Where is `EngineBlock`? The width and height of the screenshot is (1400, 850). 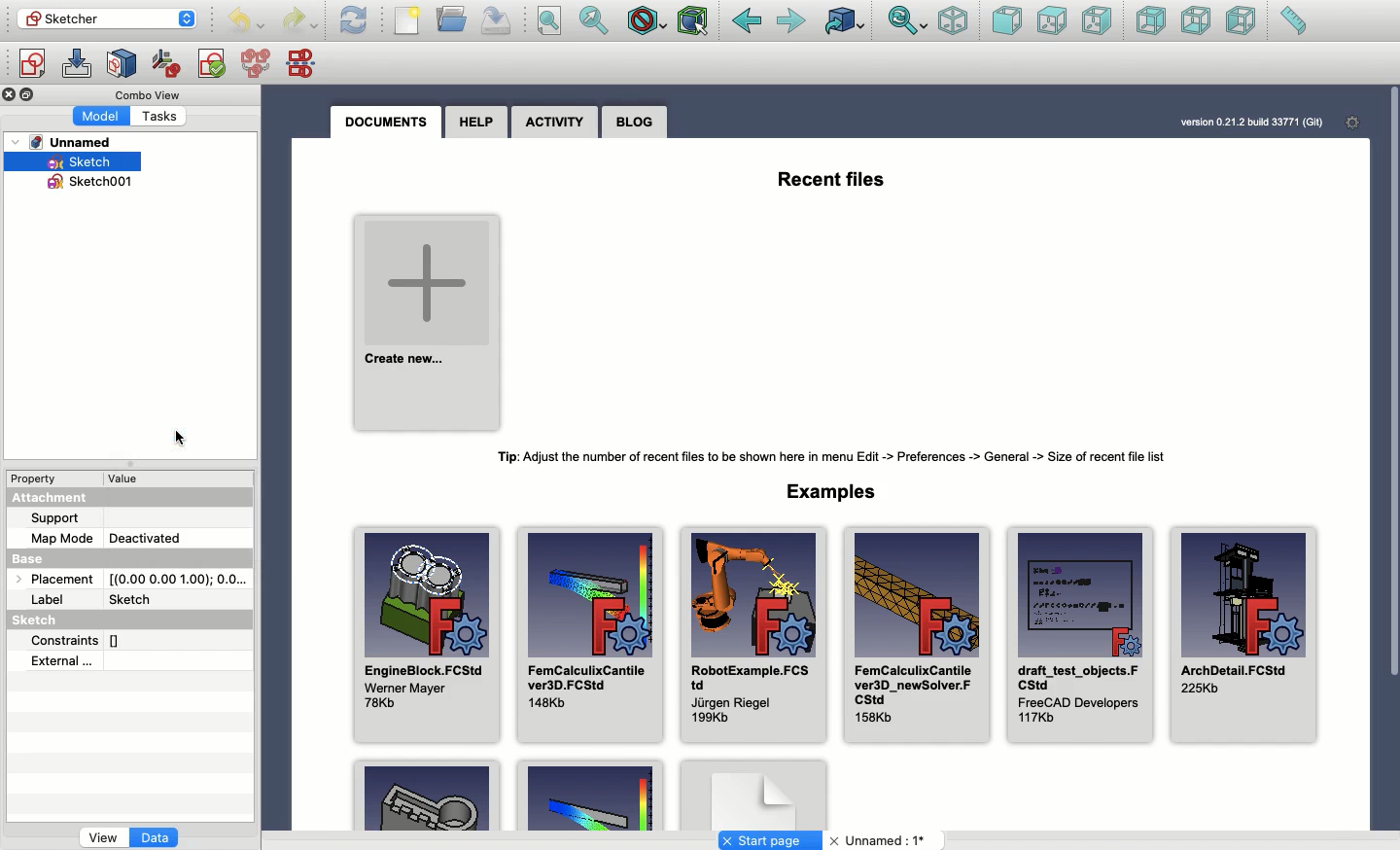 EngineBlock is located at coordinates (425, 627).